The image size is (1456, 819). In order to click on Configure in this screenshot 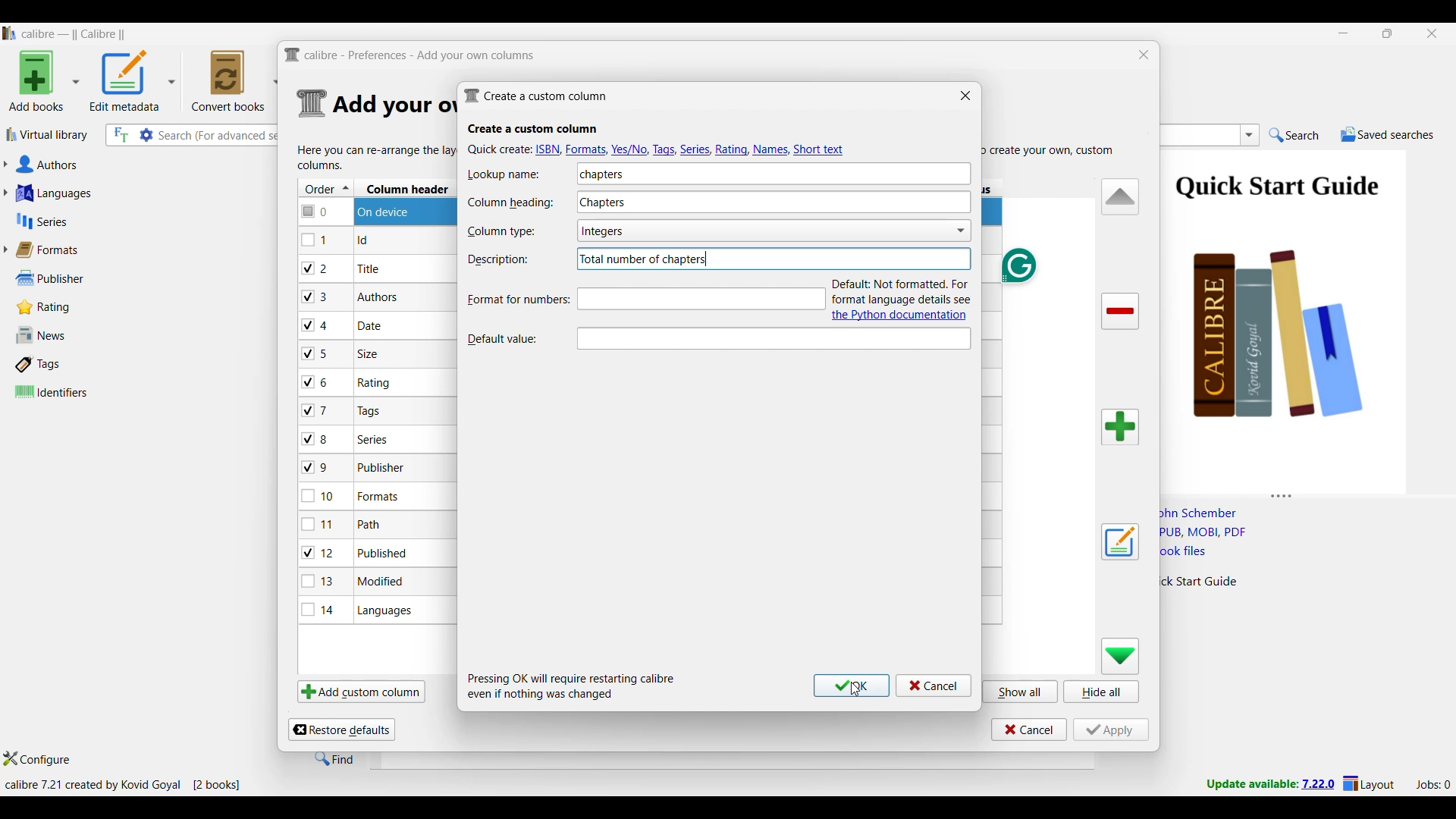, I will do `click(37, 758)`.